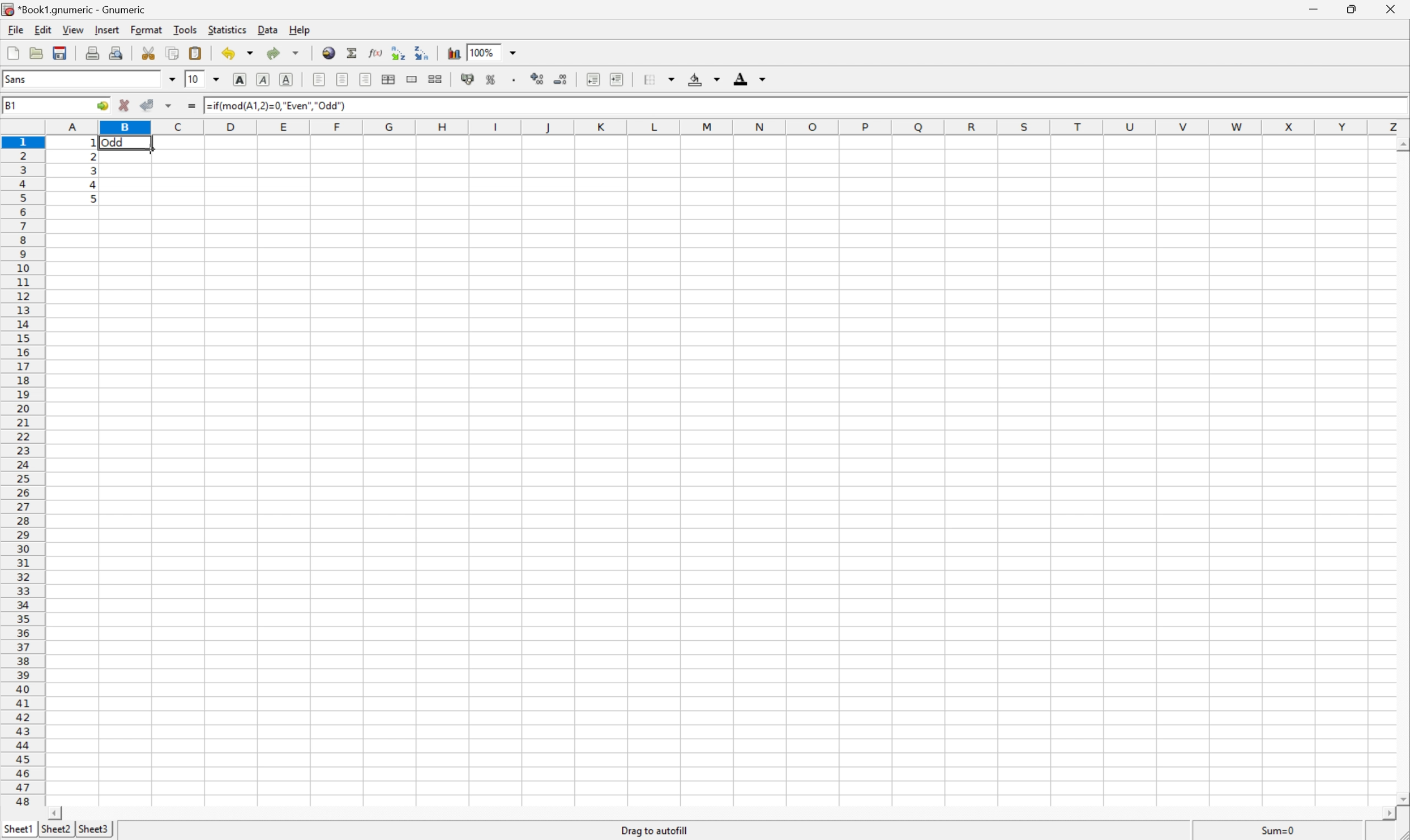 The width and height of the screenshot is (1410, 840). What do you see at coordinates (102, 104) in the screenshot?
I see `Go to` at bounding box center [102, 104].